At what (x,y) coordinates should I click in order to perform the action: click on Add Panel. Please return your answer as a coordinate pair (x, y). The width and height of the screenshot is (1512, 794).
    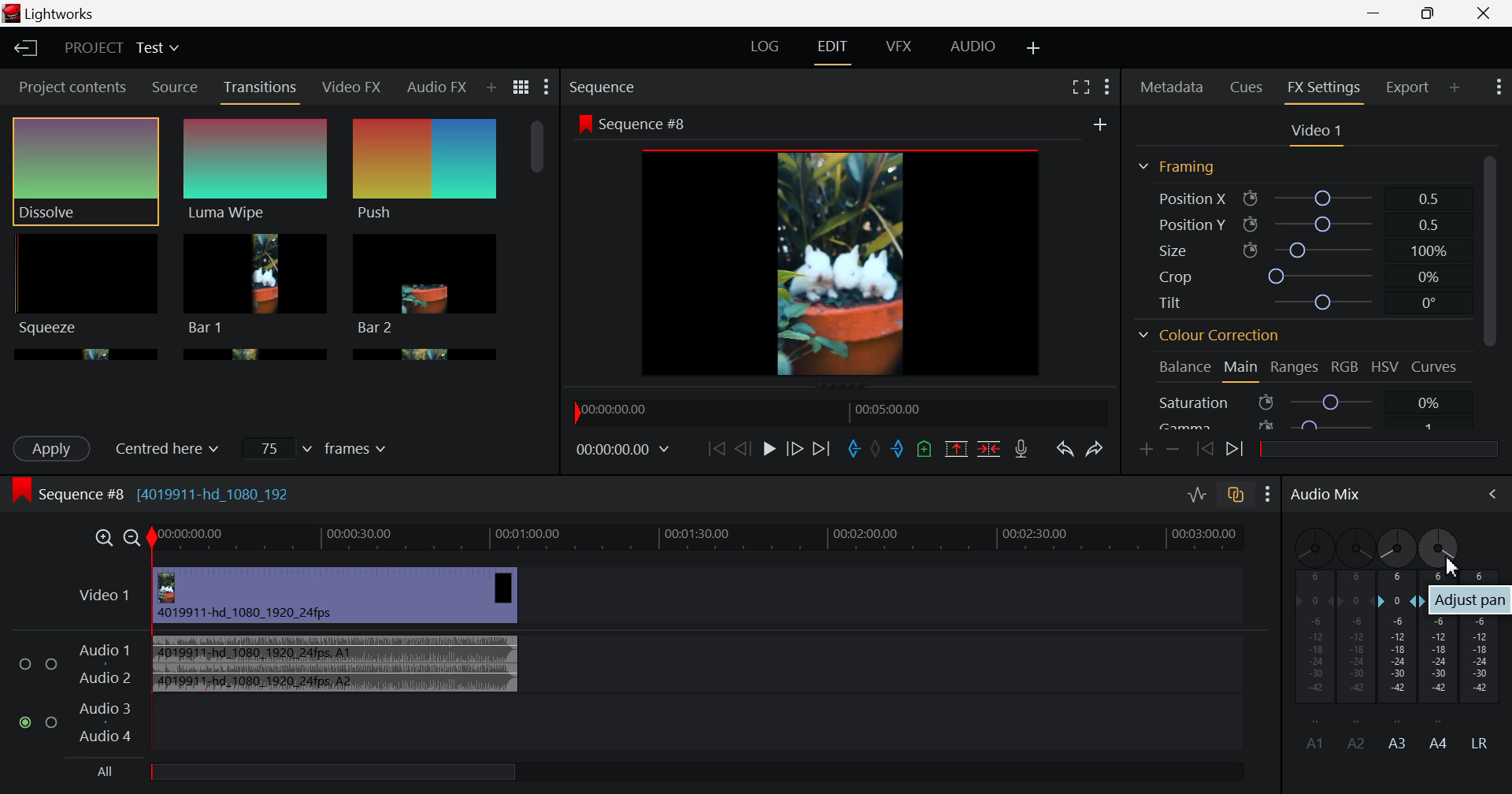
    Looking at the image, I should click on (491, 88).